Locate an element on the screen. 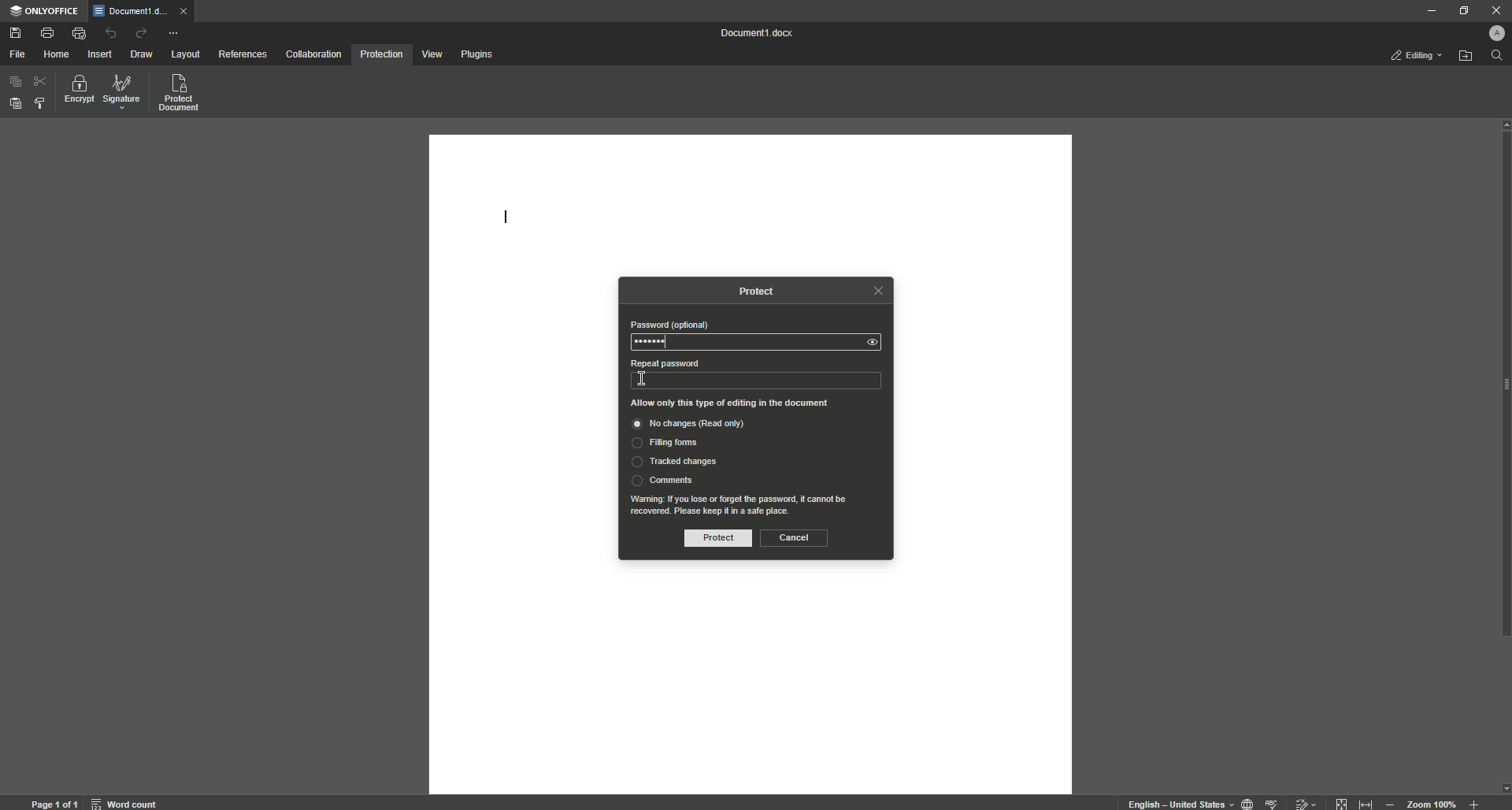  Scroll is located at coordinates (1503, 422).